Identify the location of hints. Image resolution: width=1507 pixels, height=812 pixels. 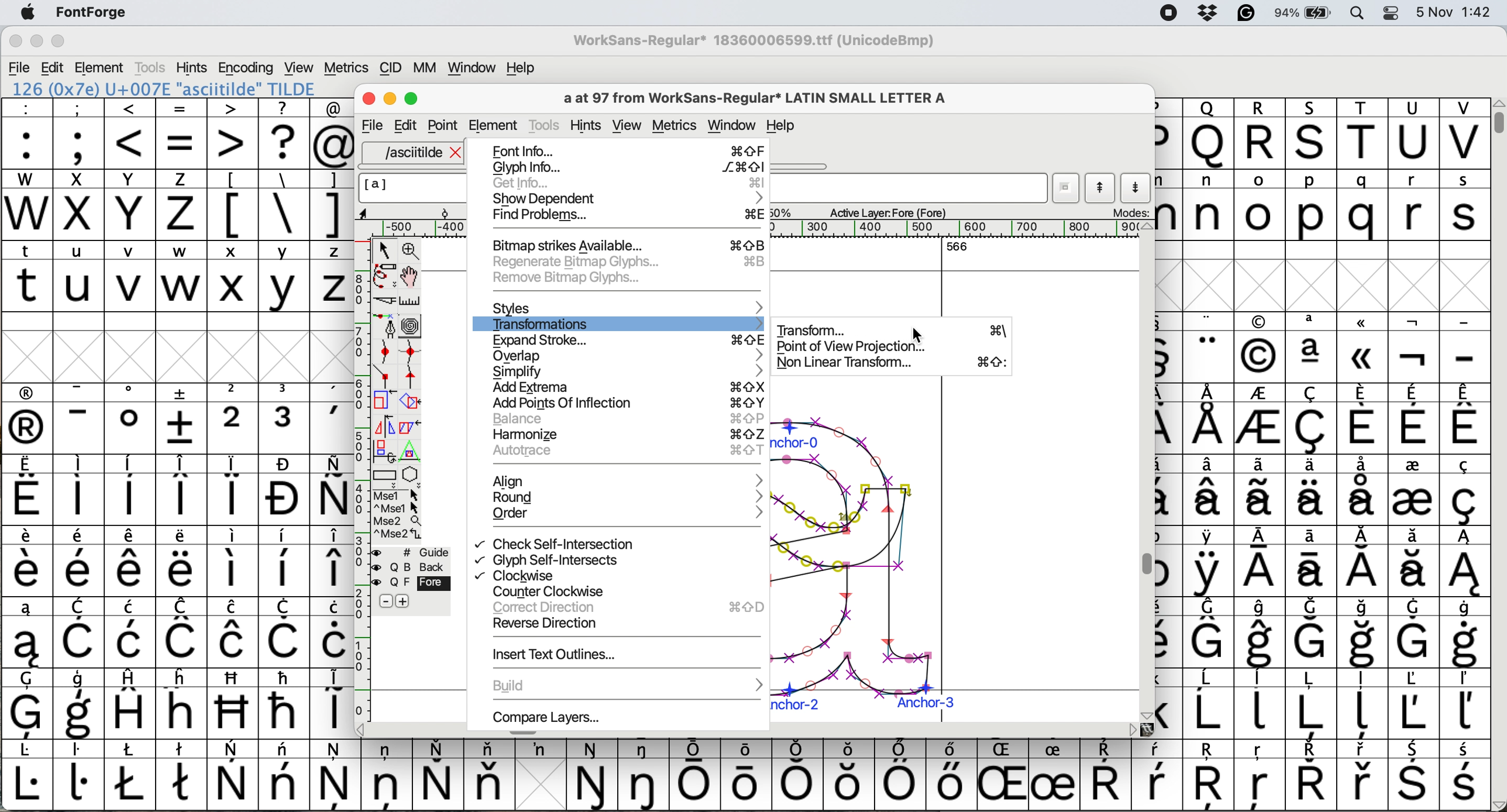
(192, 67).